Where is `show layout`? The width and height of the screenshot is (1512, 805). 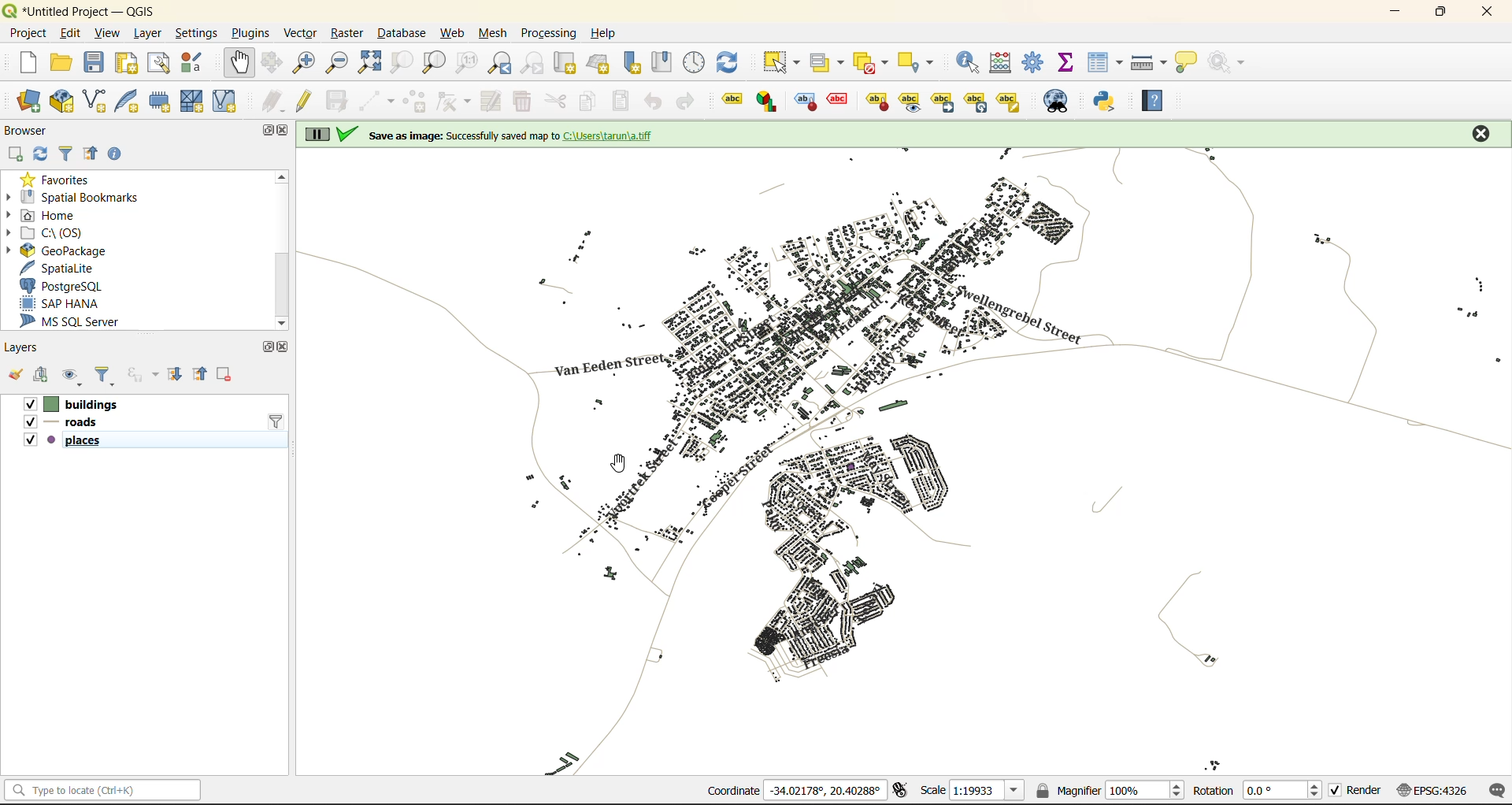 show layout is located at coordinates (157, 61).